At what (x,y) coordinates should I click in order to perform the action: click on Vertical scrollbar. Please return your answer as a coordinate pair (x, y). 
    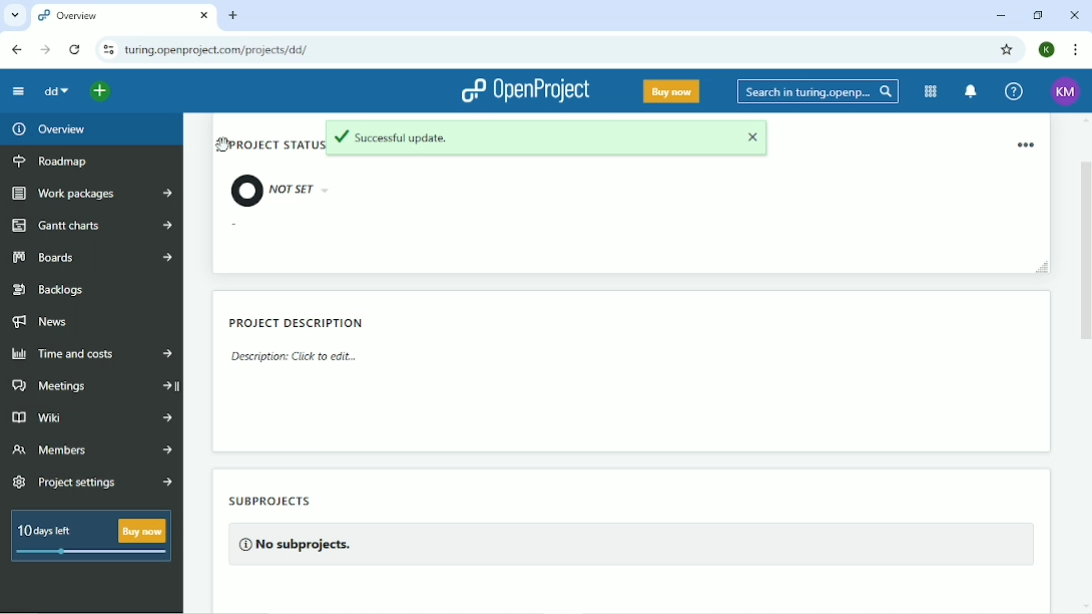
    Looking at the image, I should click on (1085, 232).